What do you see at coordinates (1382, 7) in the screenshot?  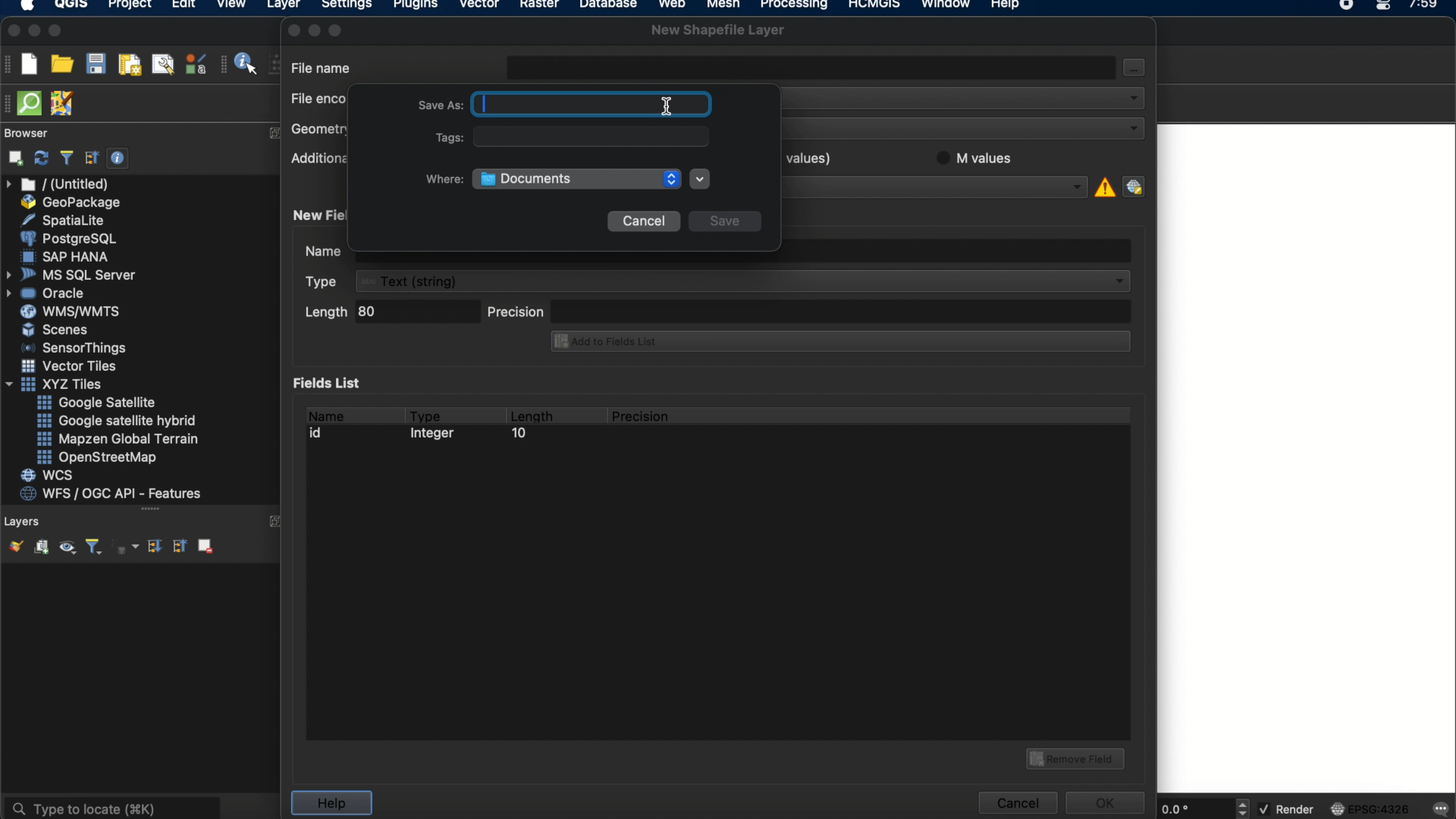 I see `control center macOS` at bounding box center [1382, 7].